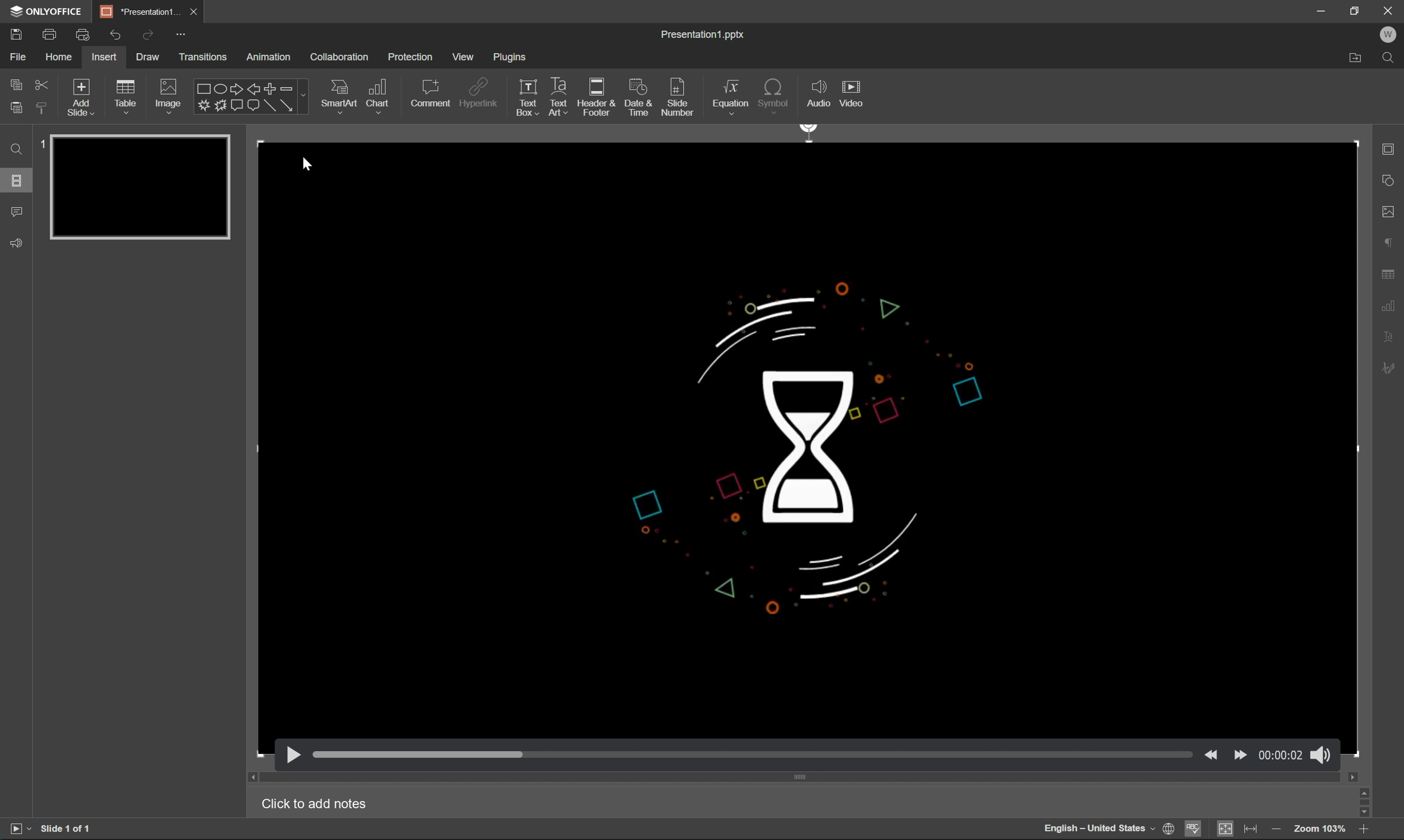  Describe the element at coordinates (1392, 211) in the screenshot. I see `image settings` at that location.